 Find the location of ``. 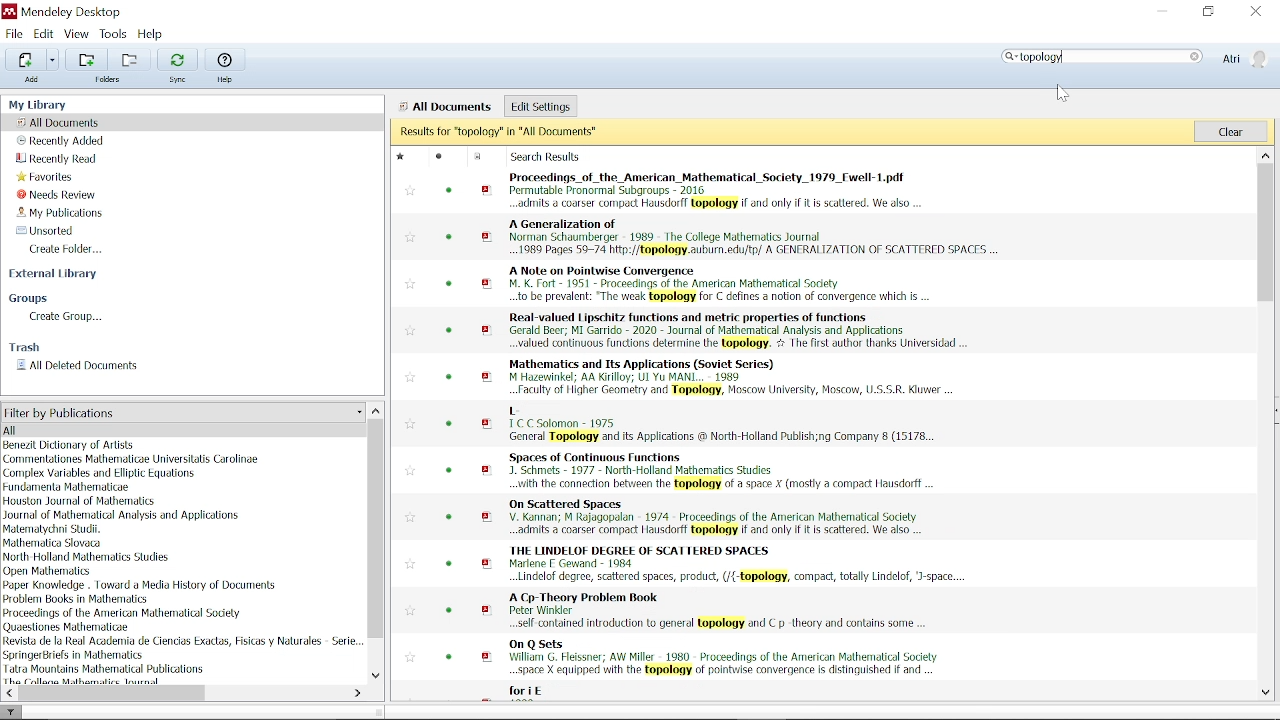

 is located at coordinates (12, 693).